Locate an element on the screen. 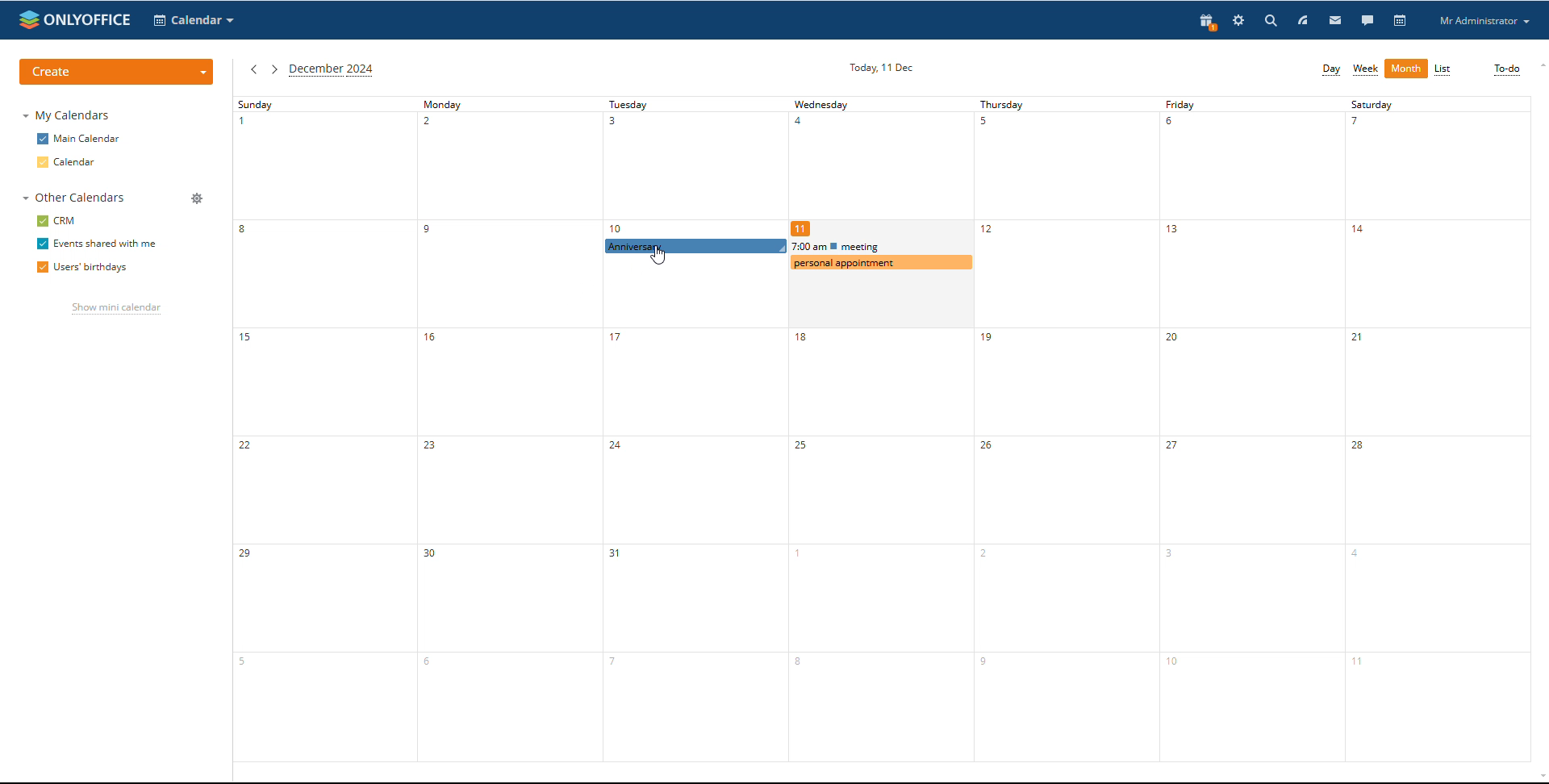 The height and width of the screenshot is (784, 1549). profile is located at coordinates (1483, 21).